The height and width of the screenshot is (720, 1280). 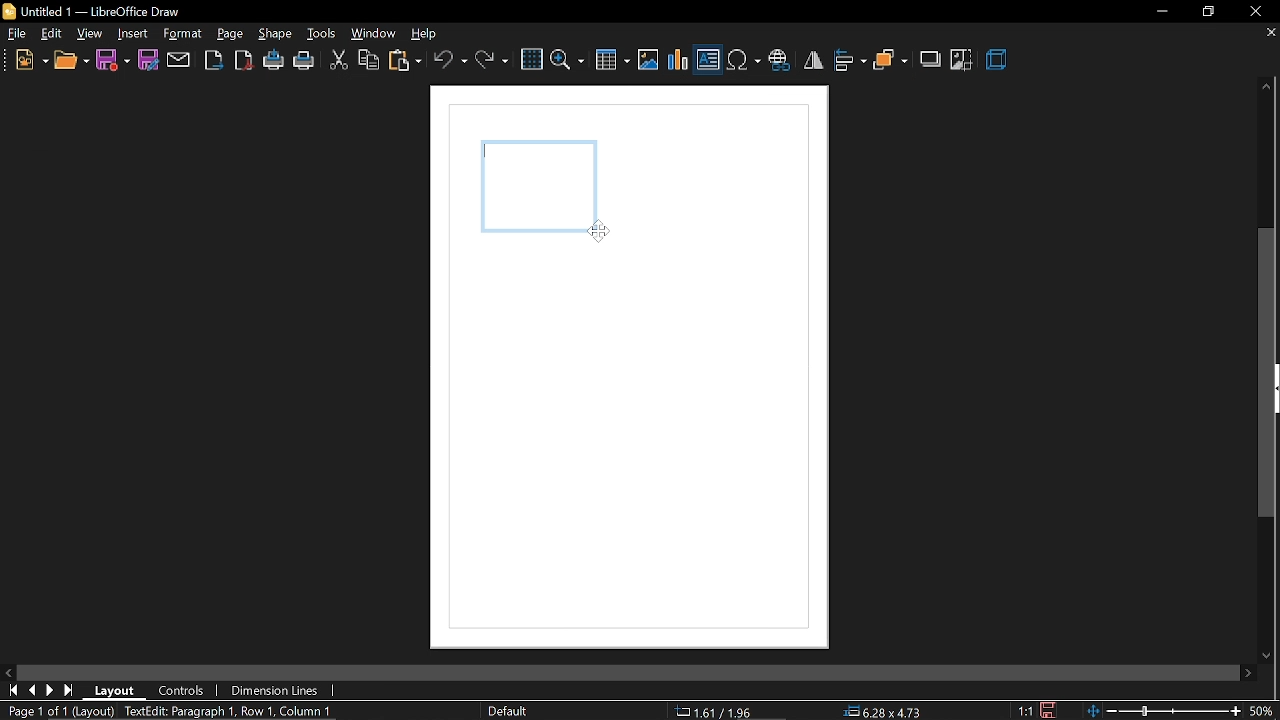 What do you see at coordinates (276, 691) in the screenshot?
I see `dimension lines` at bounding box center [276, 691].